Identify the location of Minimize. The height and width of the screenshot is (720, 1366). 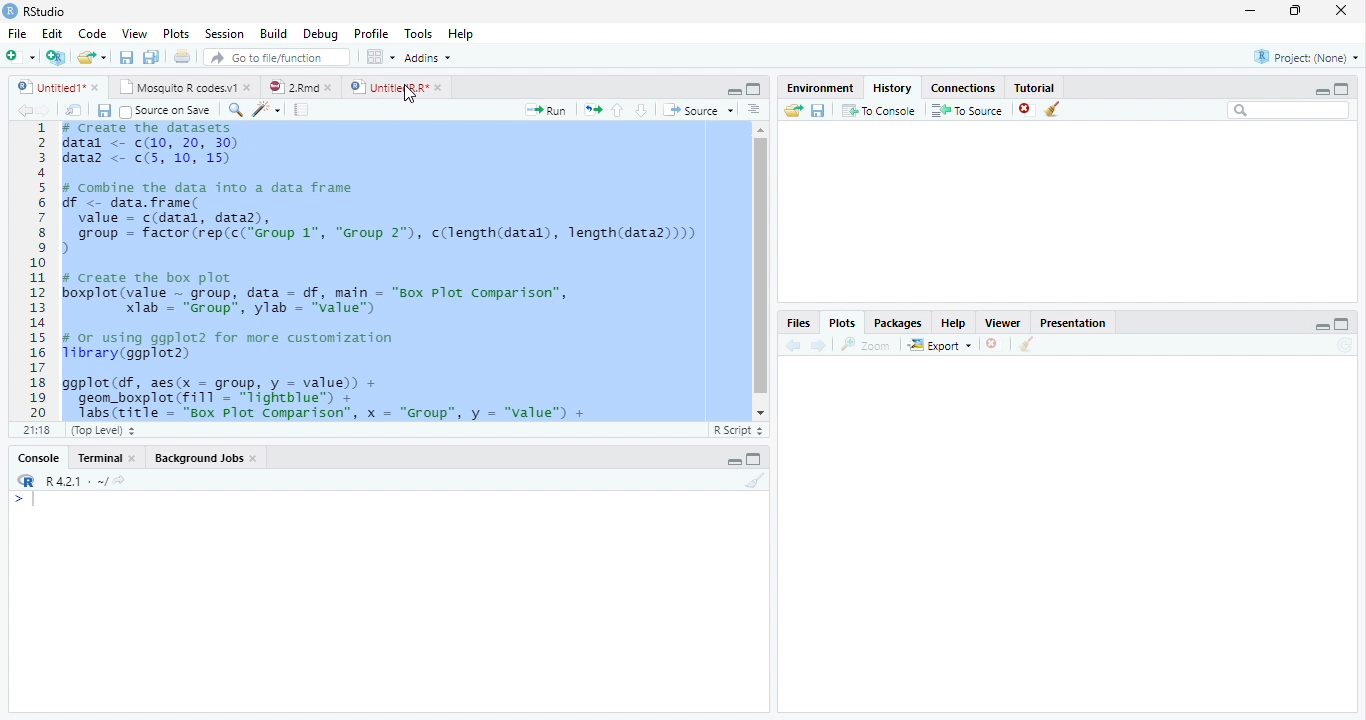
(733, 462).